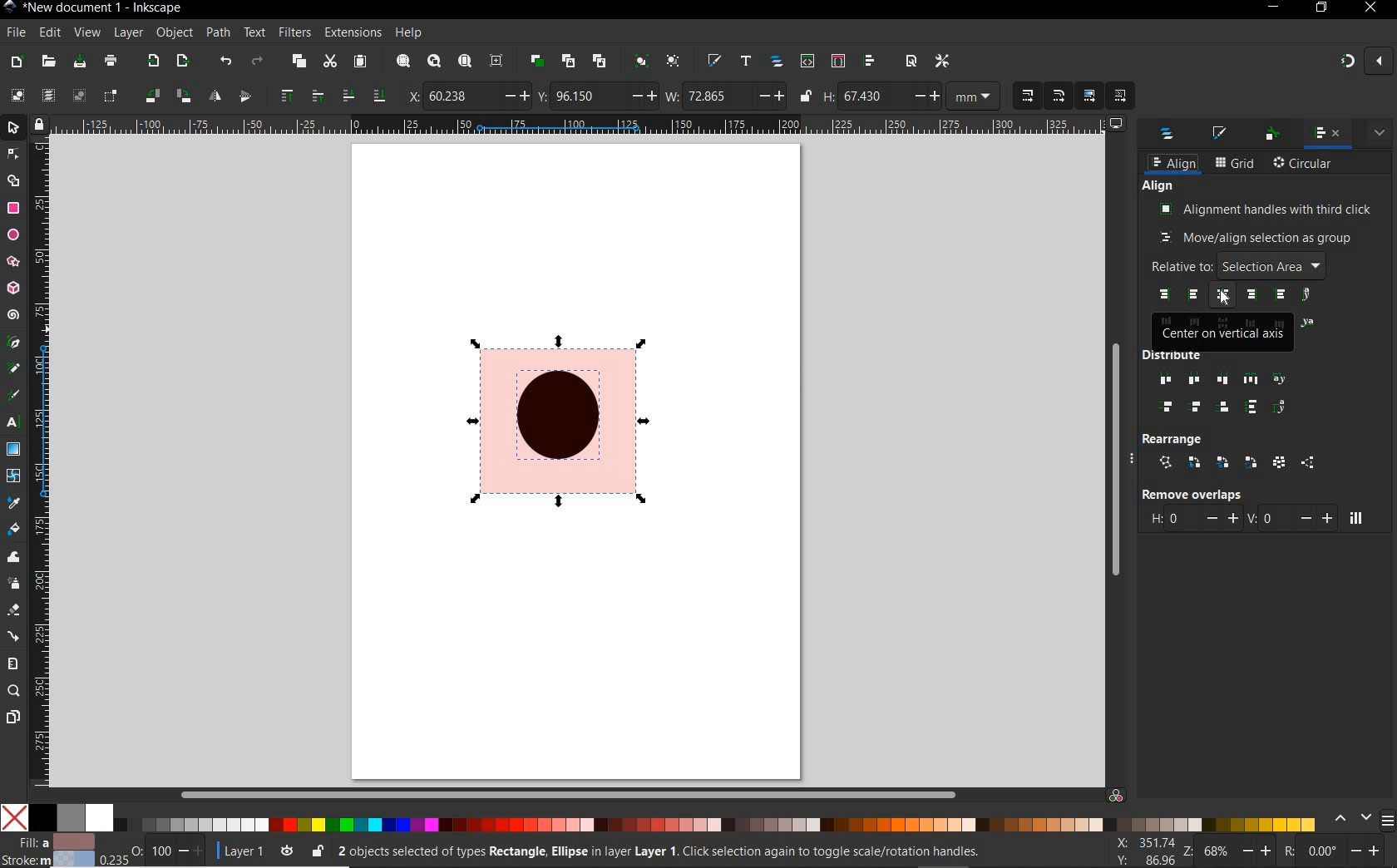  I want to click on EVEN VERTICAL CENTERS, so click(1197, 408).